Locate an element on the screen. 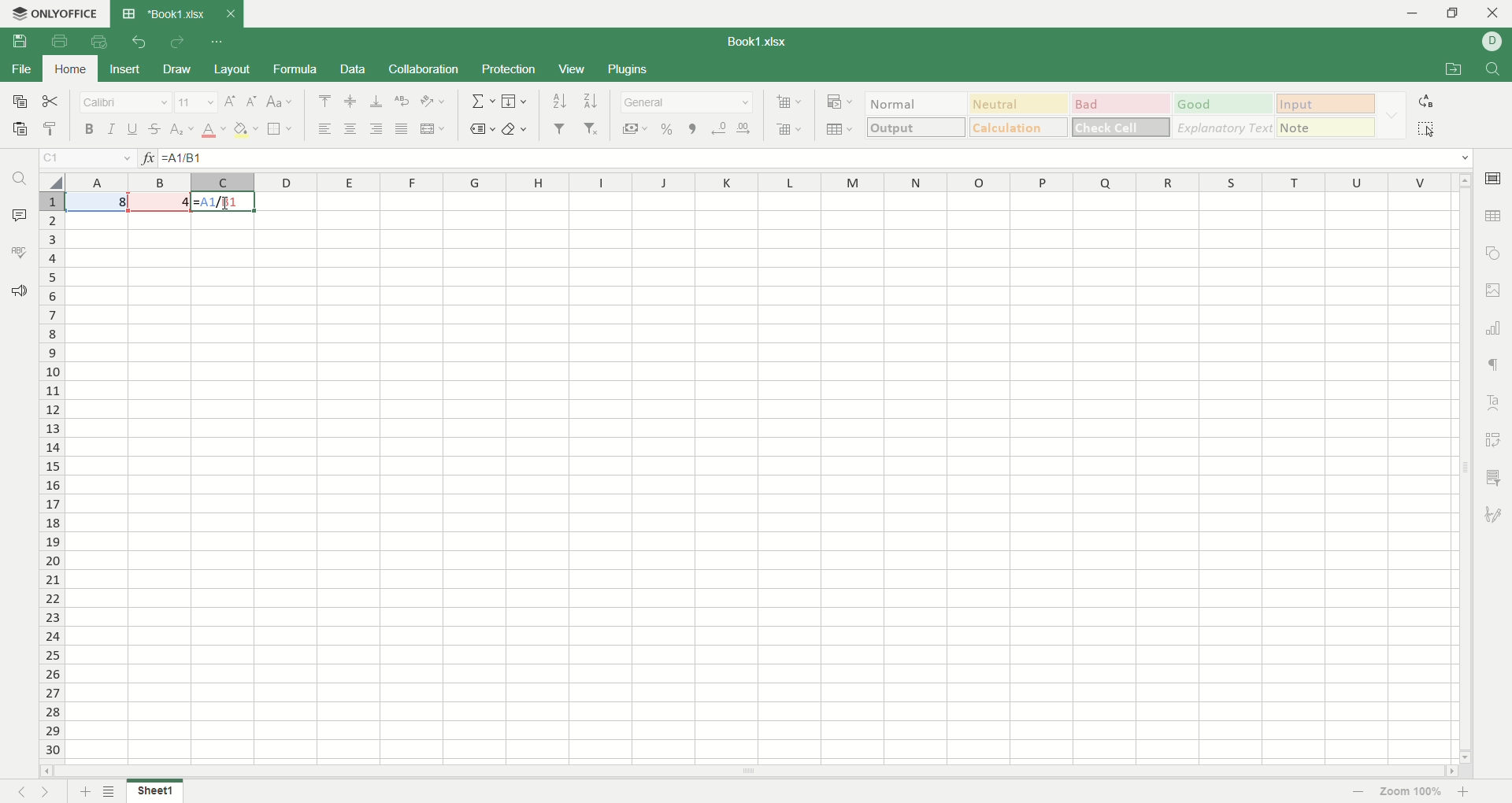 The width and height of the screenshot is (1512, 803). cell settings is located at coordinates (1493, 177).